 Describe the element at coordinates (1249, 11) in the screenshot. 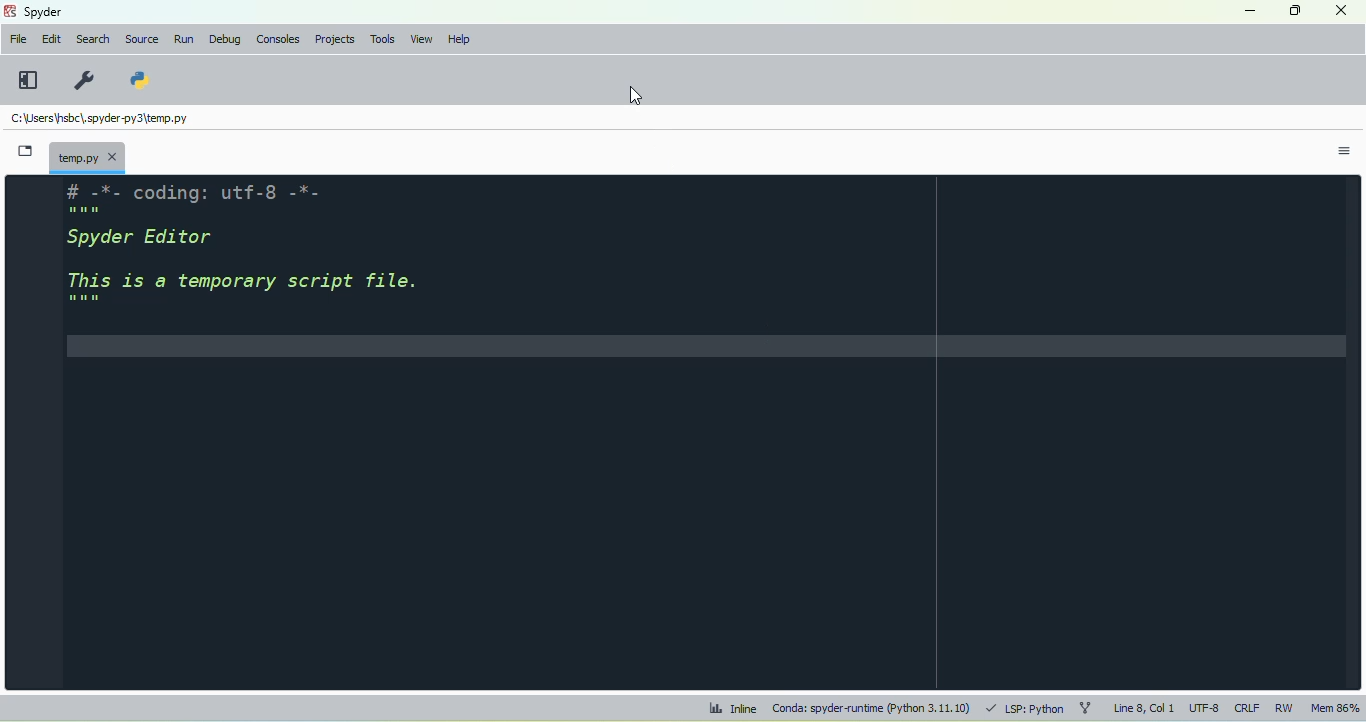

I see `minimize` at that location.